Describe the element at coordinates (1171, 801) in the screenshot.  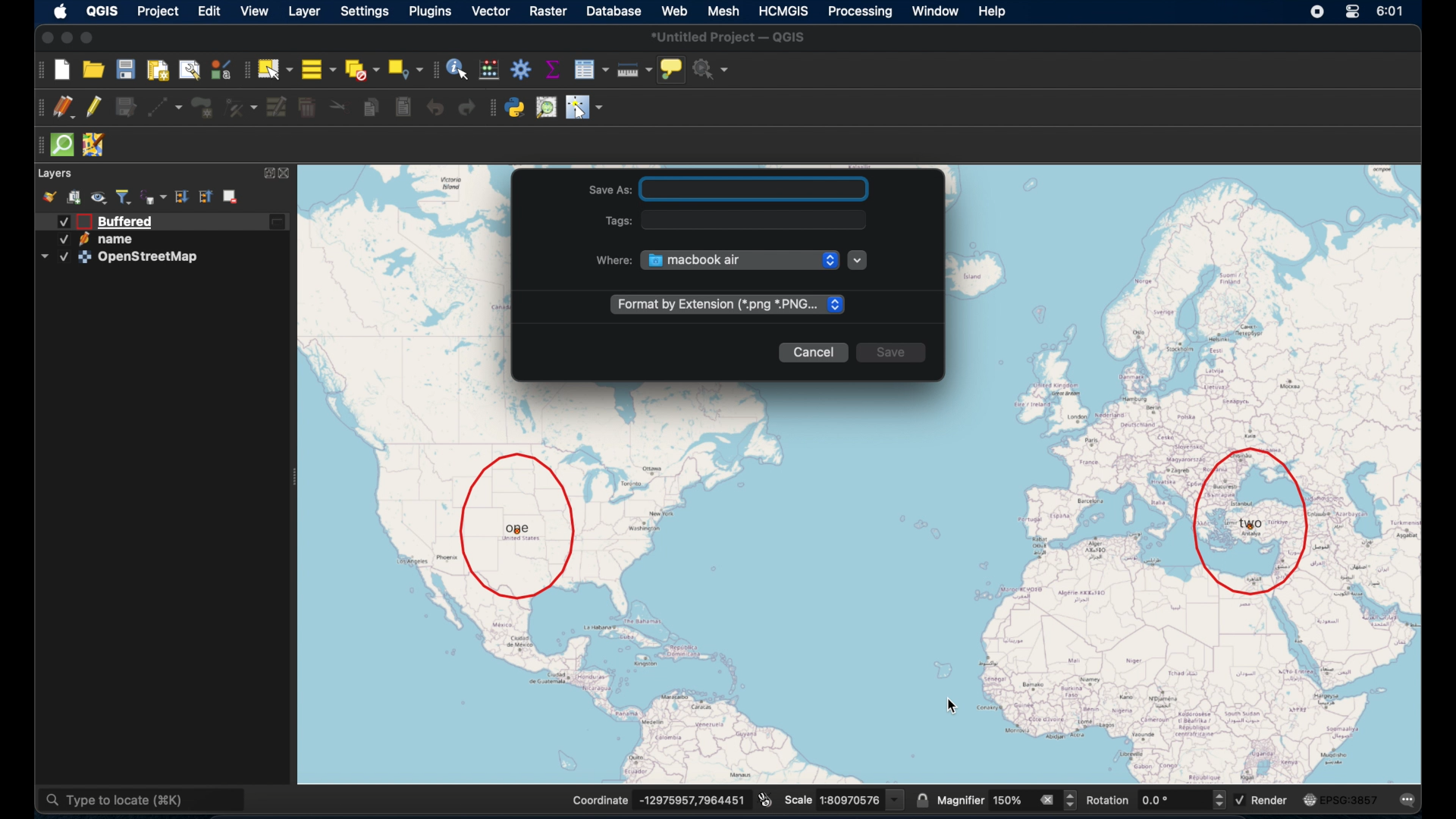
I see `rotation input value` at that location.